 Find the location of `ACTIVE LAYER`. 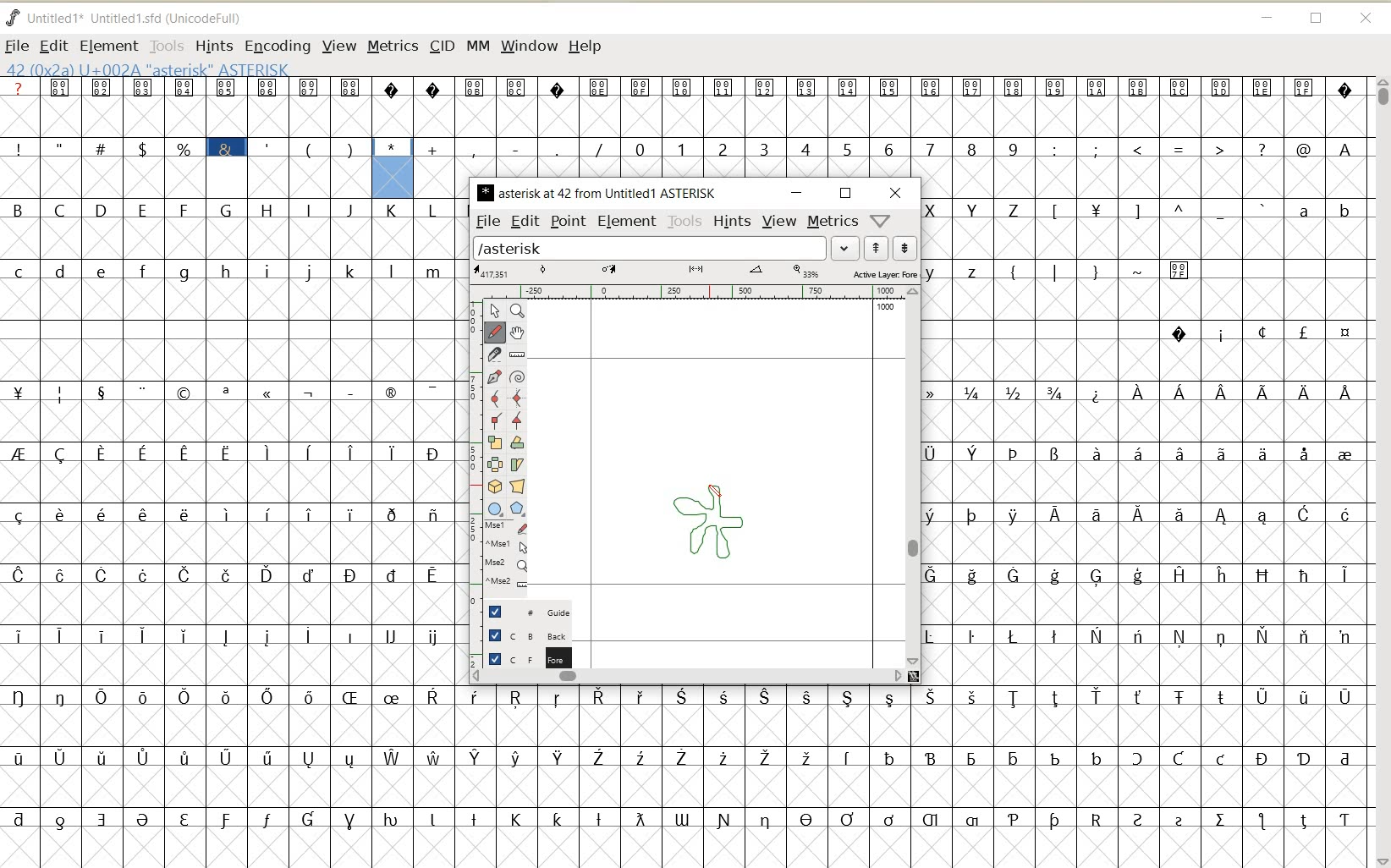

ACTIVE LAYER is located at coordinates (695, 272).